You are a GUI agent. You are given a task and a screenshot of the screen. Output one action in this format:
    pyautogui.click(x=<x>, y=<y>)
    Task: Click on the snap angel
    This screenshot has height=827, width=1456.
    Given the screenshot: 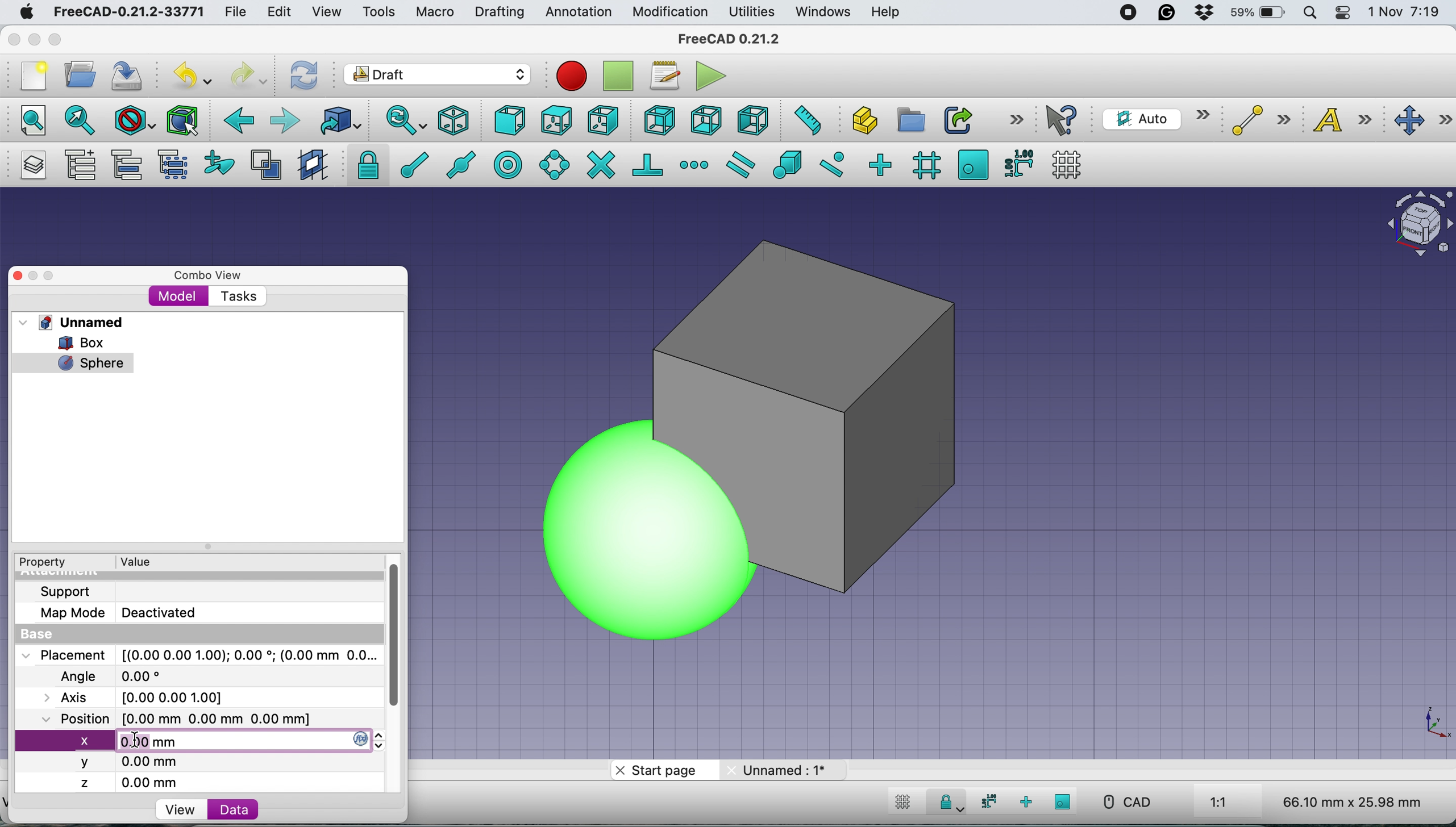 What is the action you would take?
    pyautogui.click(x=551, y=164)
    